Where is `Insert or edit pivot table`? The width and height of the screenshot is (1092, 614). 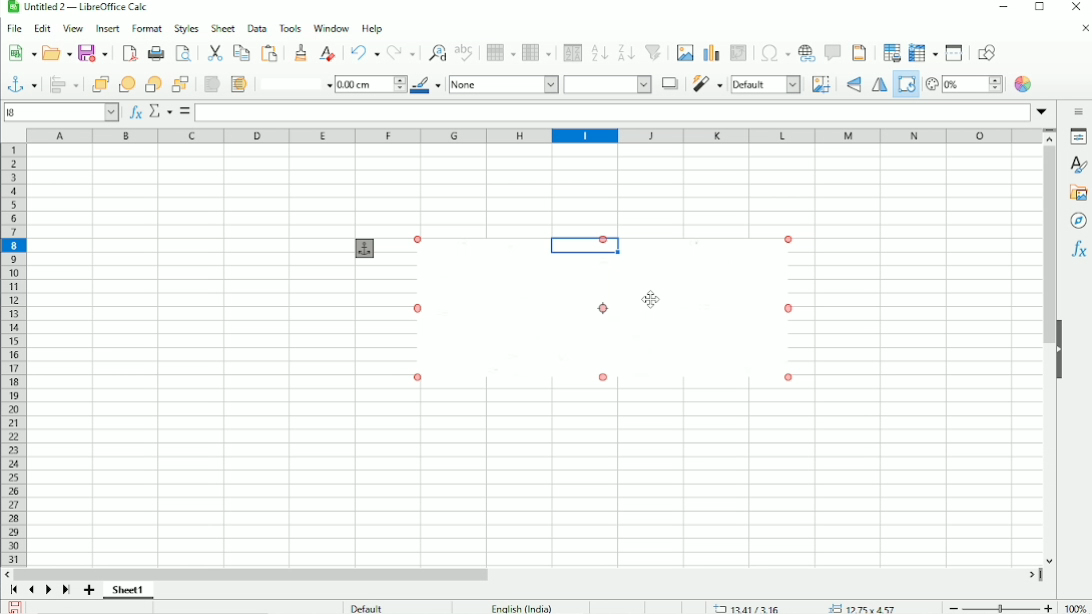 Insert or edit pivot table is located at coordinates (739, 53).